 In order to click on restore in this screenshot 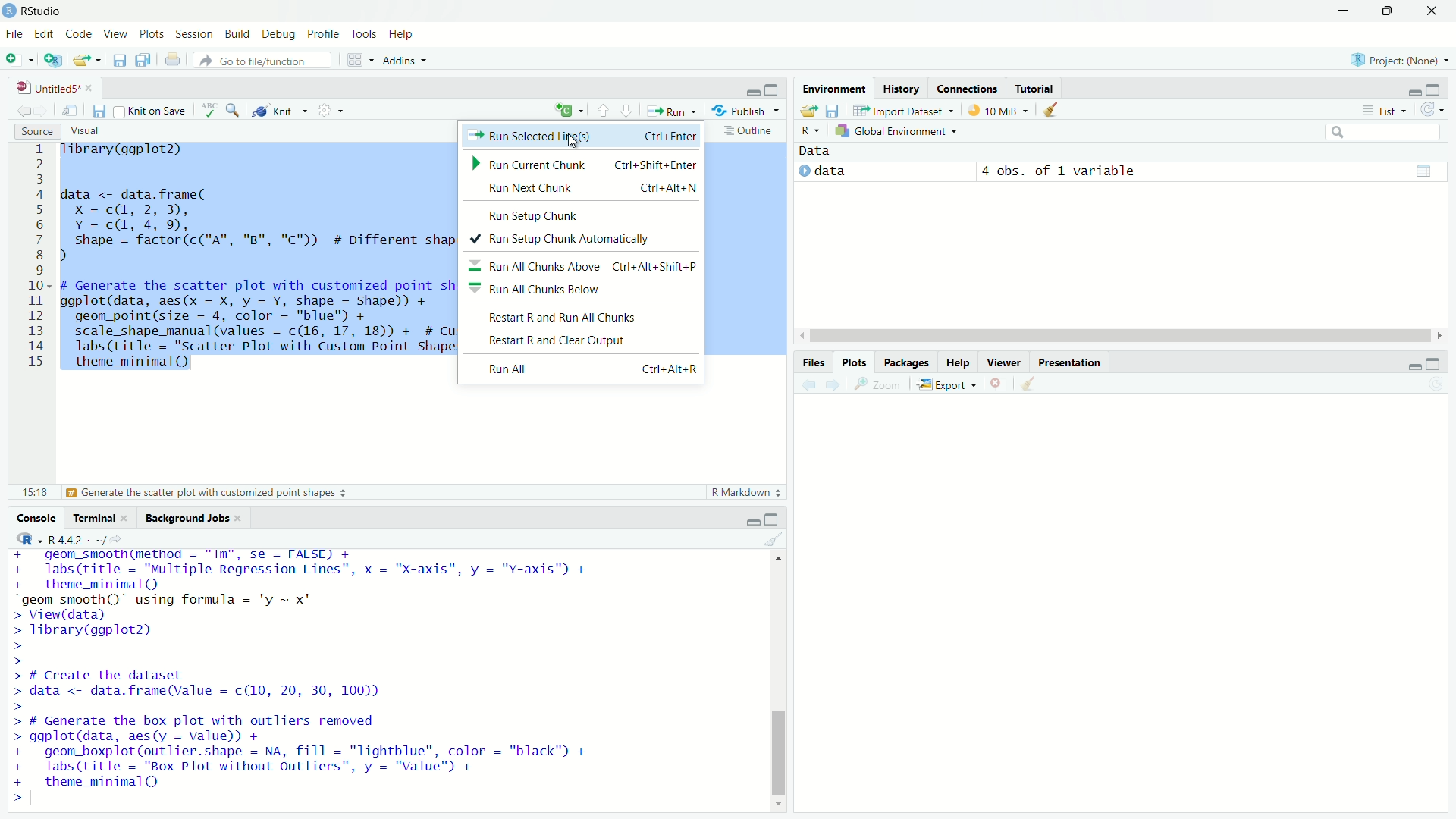, I will do `click(1389, 11)`.